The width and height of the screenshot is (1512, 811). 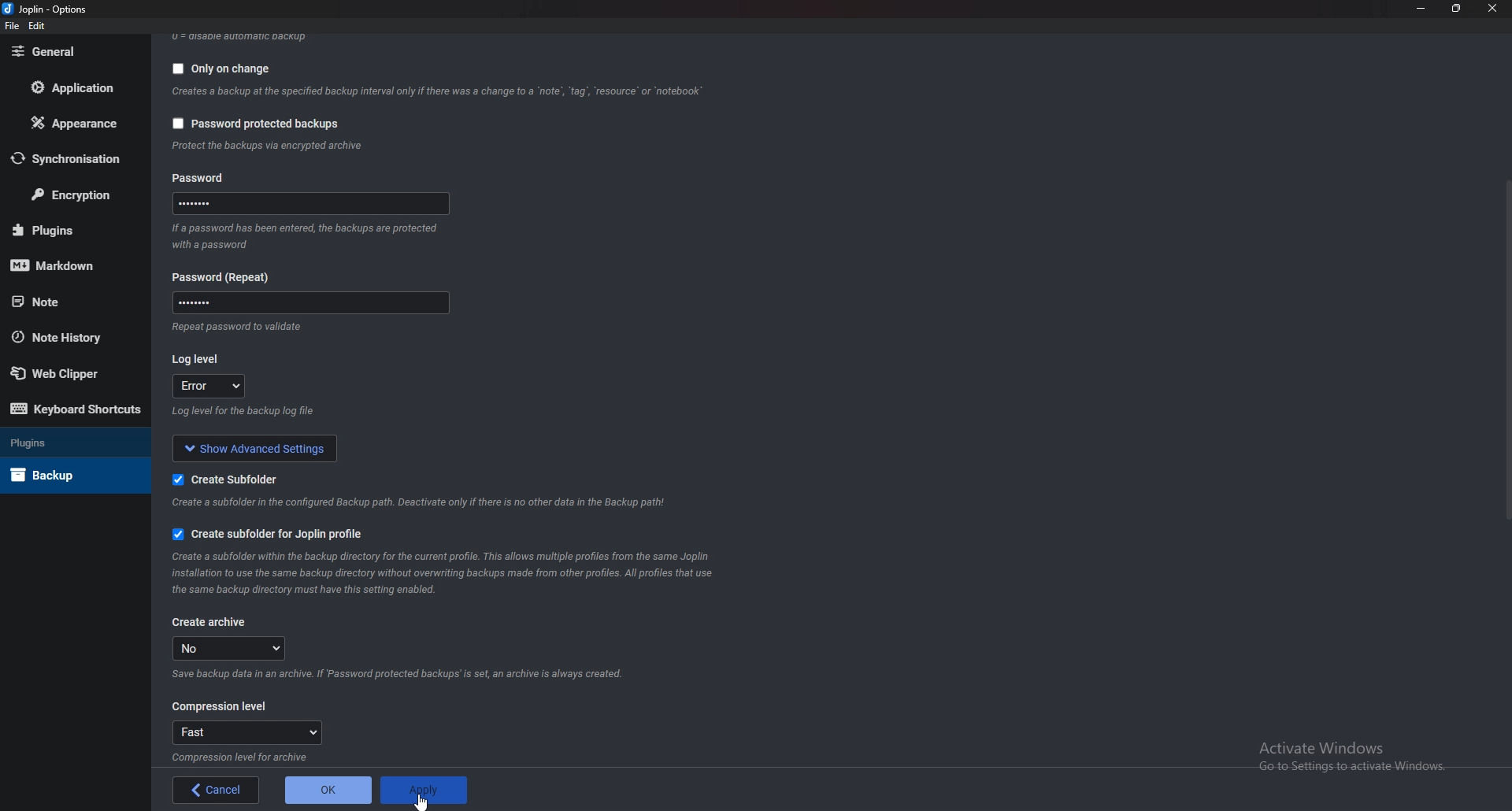 I want to click on Plugins, so click(x=68, y=230).